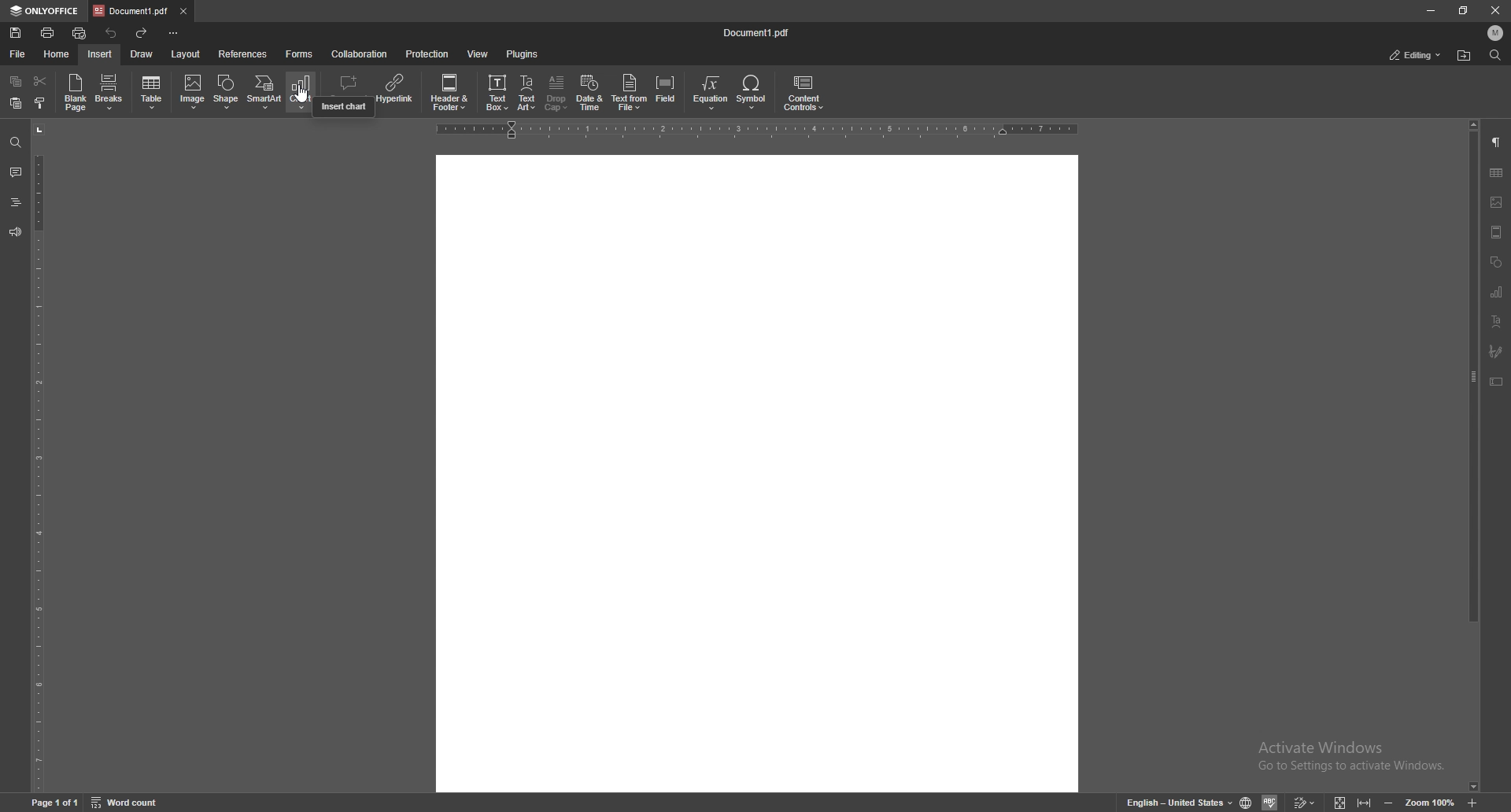 This screenshot has width=1511, height=812. Describe the element at coordinates (185, 54) in the screenshot. I see `layout` at that location.